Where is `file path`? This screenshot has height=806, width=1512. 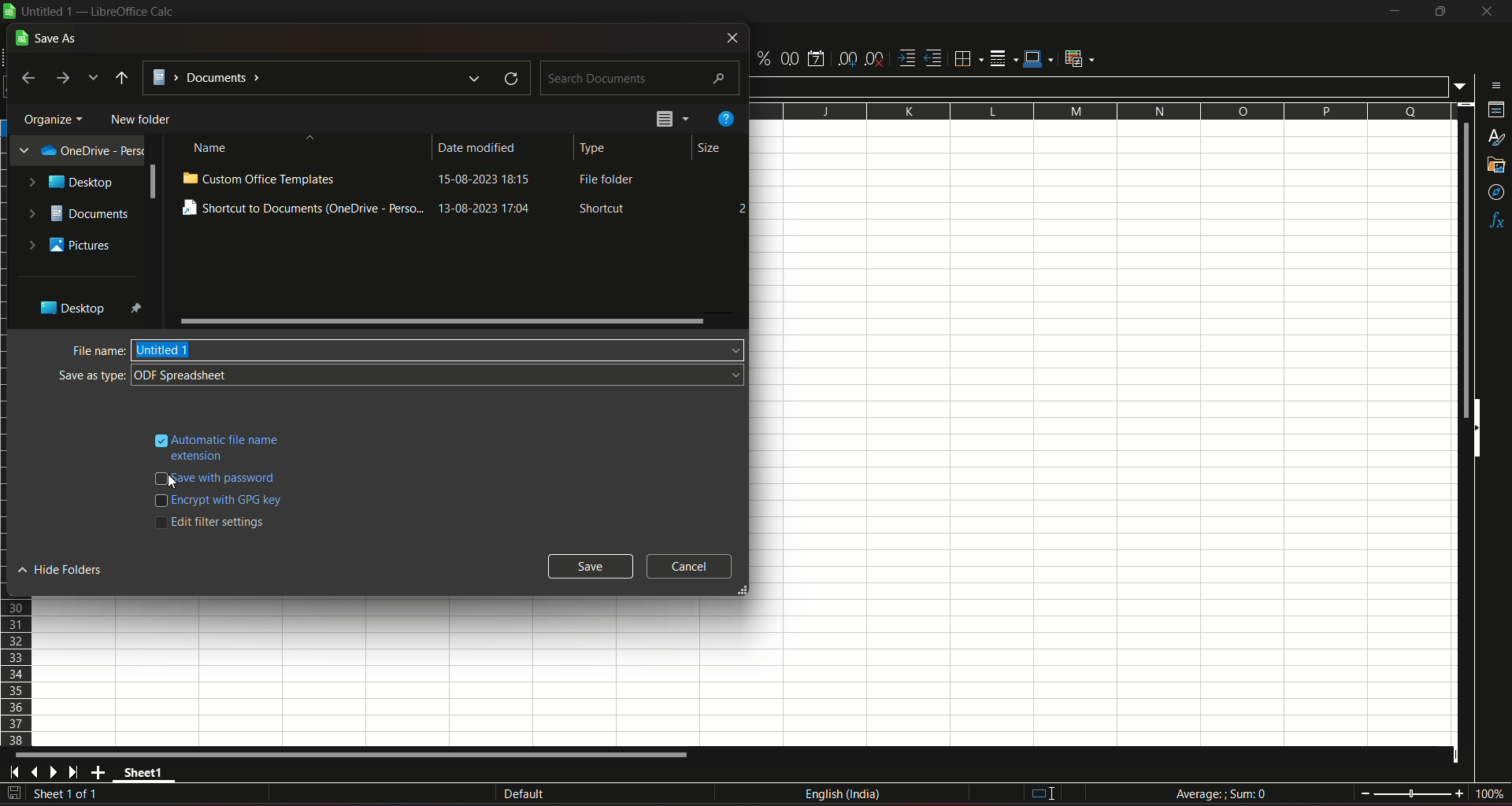
file path is located at coordinates (316, 79).